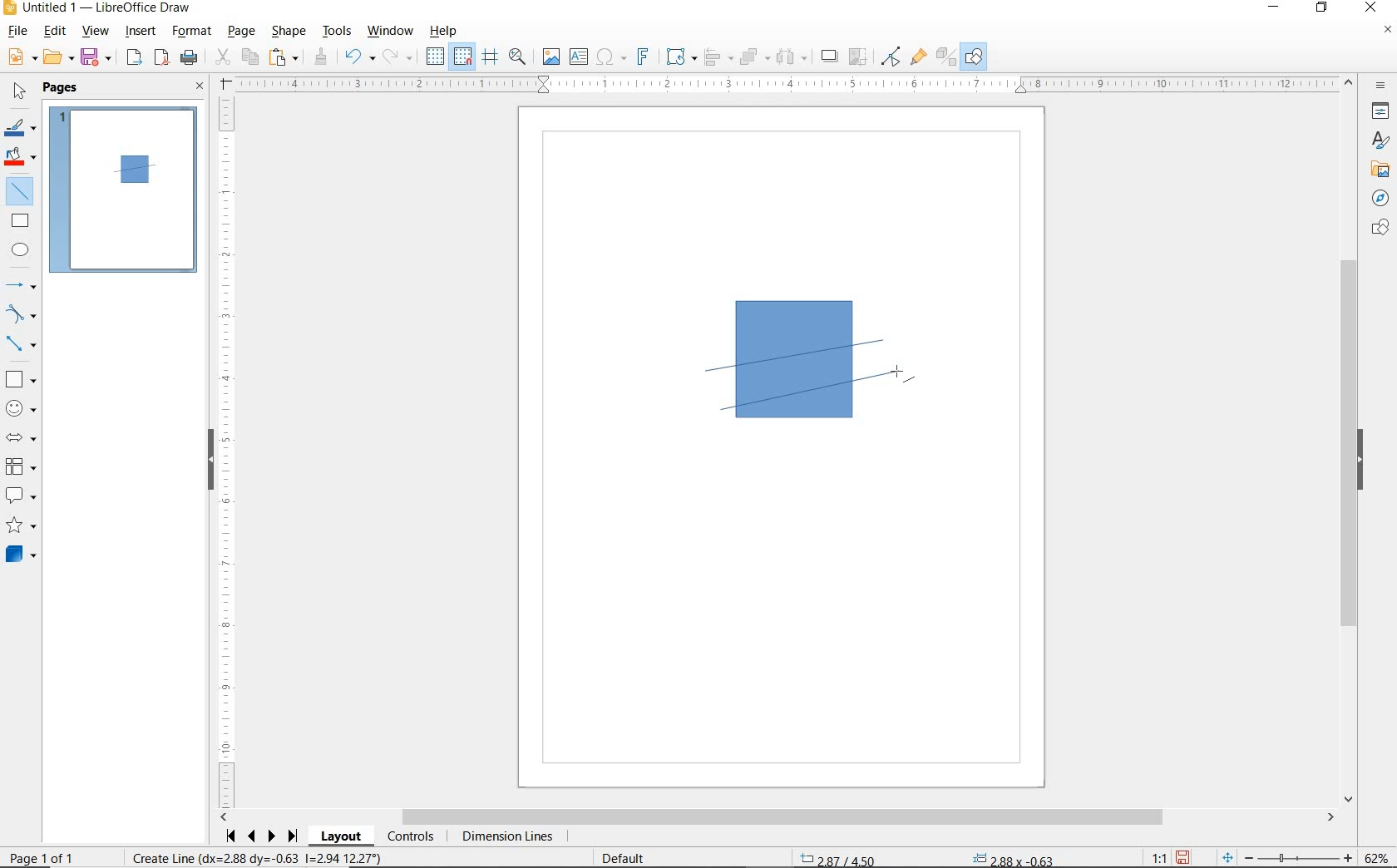 This screenshot has height=868, width=1397. Describe the element at coordinates (249, 57) in the screenshot. I see `COPY` at that location.